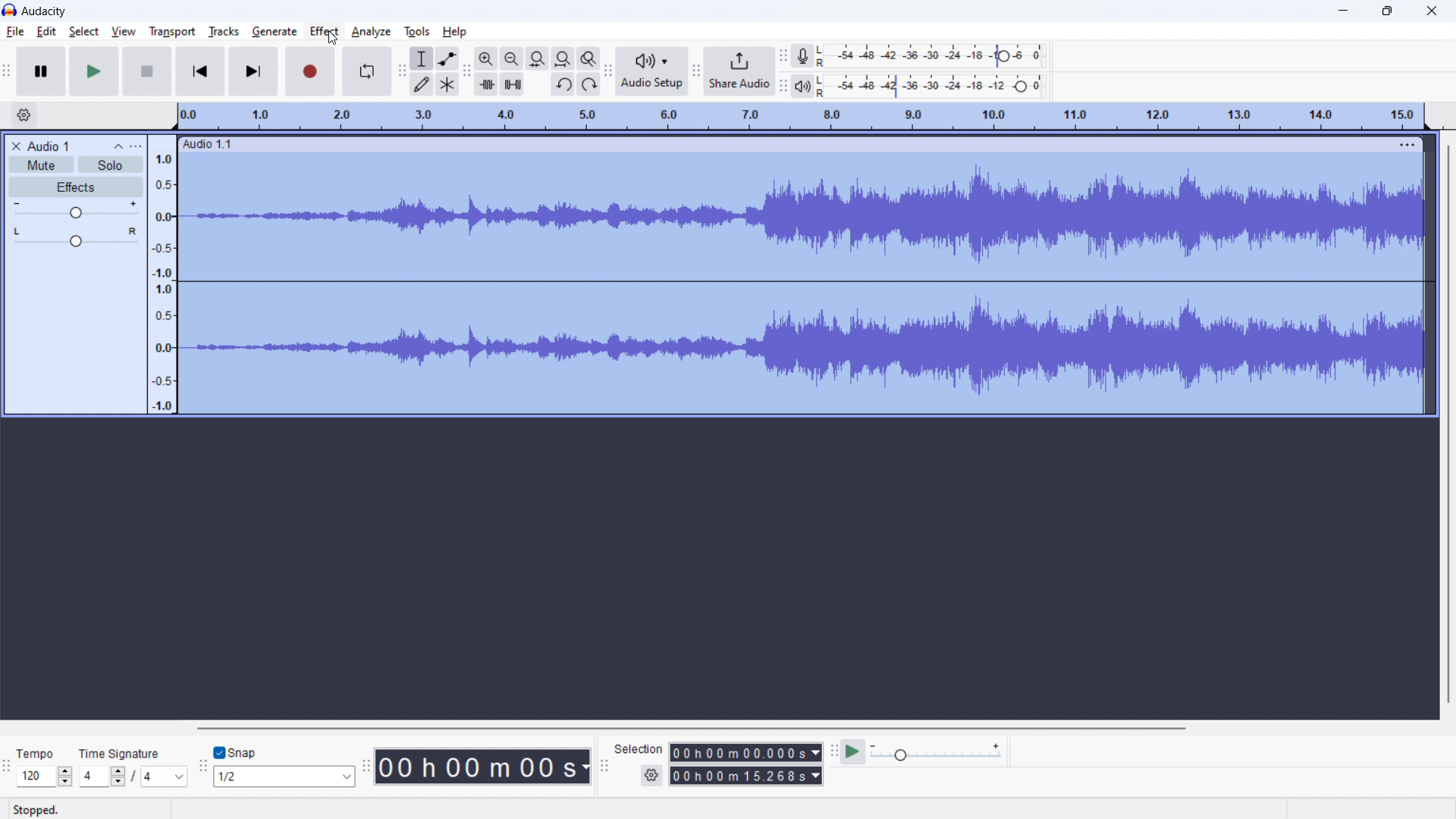 The height and width of the screenshot is (819, 1456). What do you see at coordinates (275, 32) in the screenshot?
I see `generate` at bounding box center [275, 32].